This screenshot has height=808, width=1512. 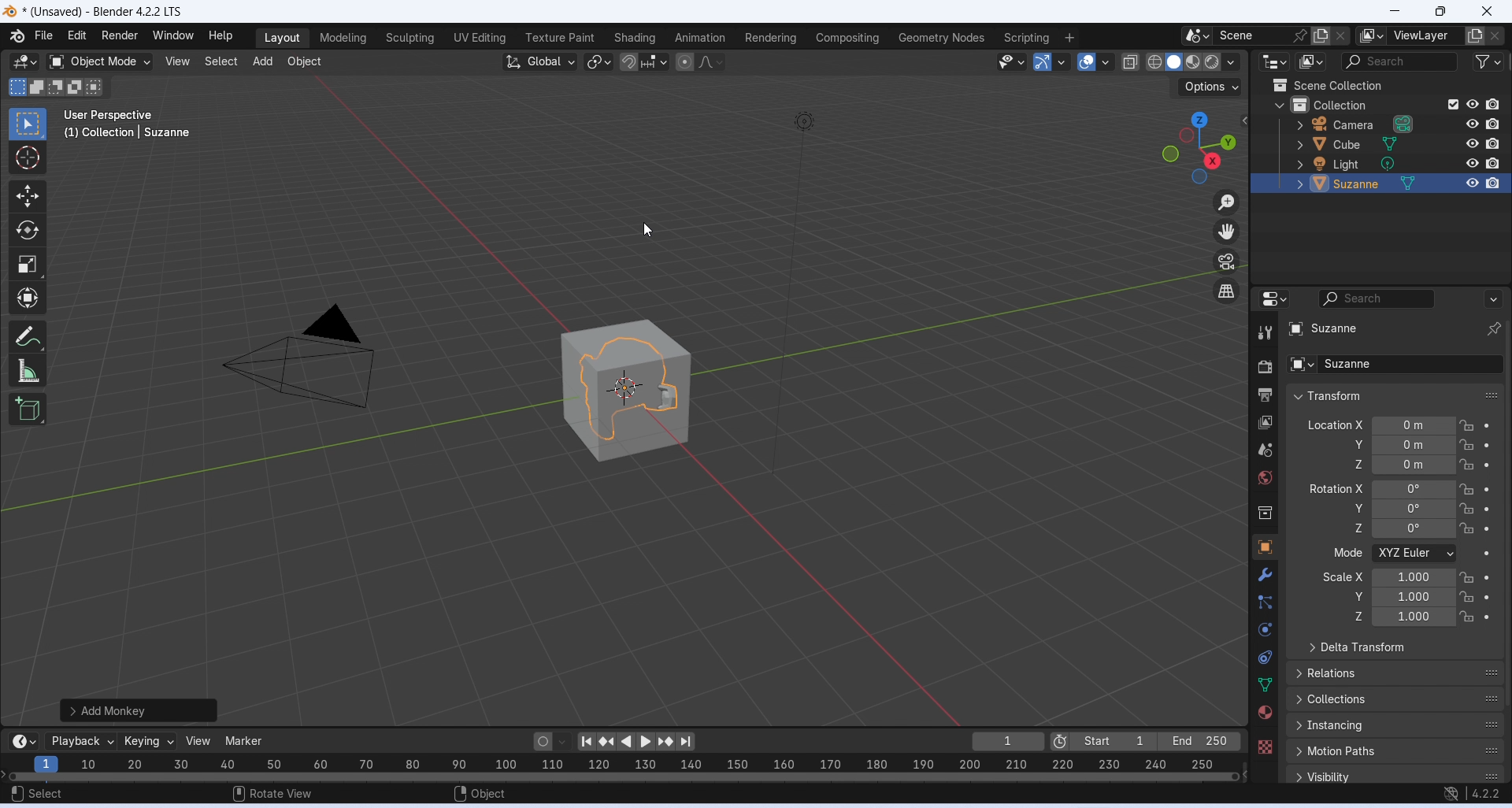 I want to click on disable in renders, so click(x=1492, y=143).